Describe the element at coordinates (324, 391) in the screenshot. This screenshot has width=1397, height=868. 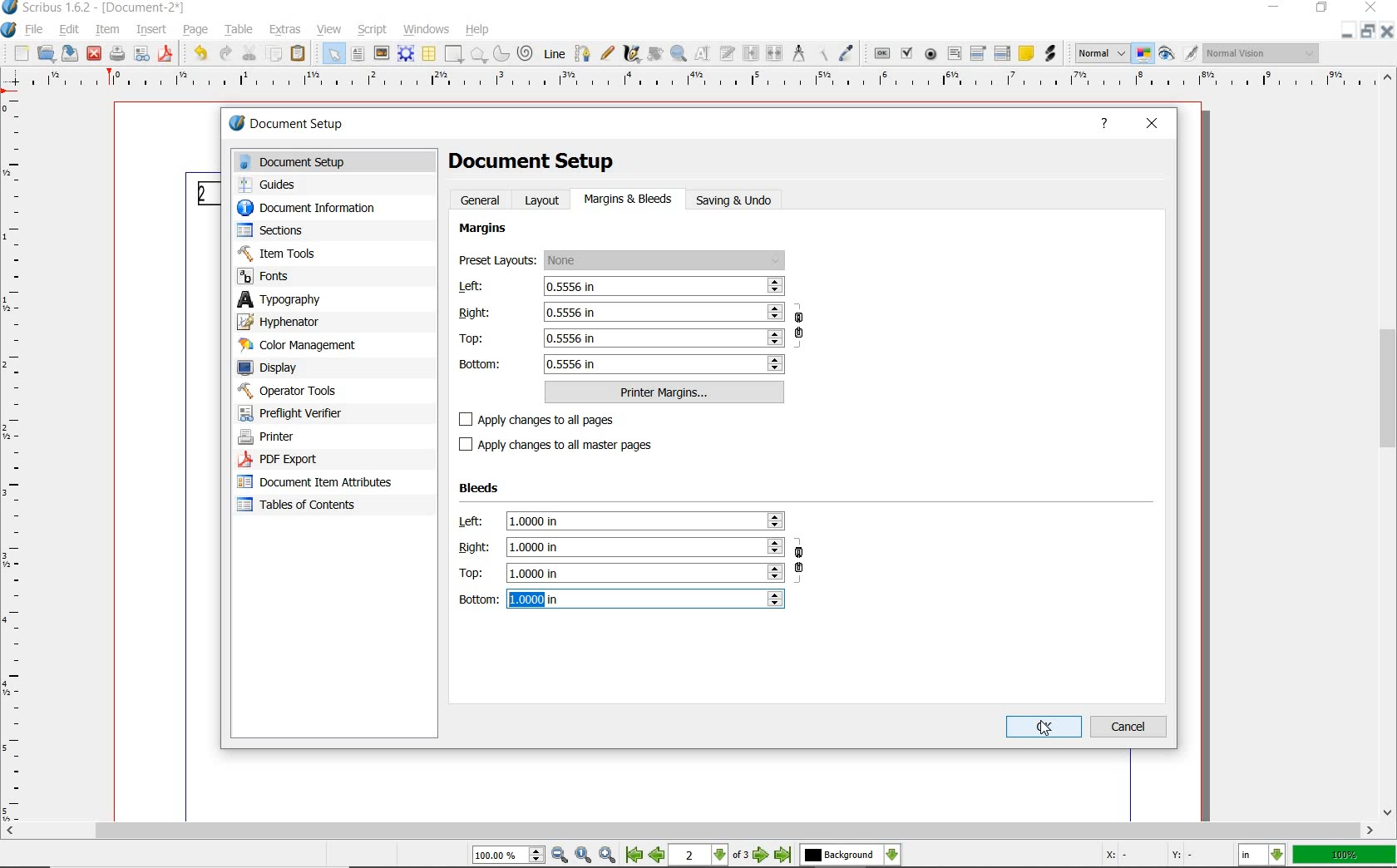
I see `operator tools` at that location.